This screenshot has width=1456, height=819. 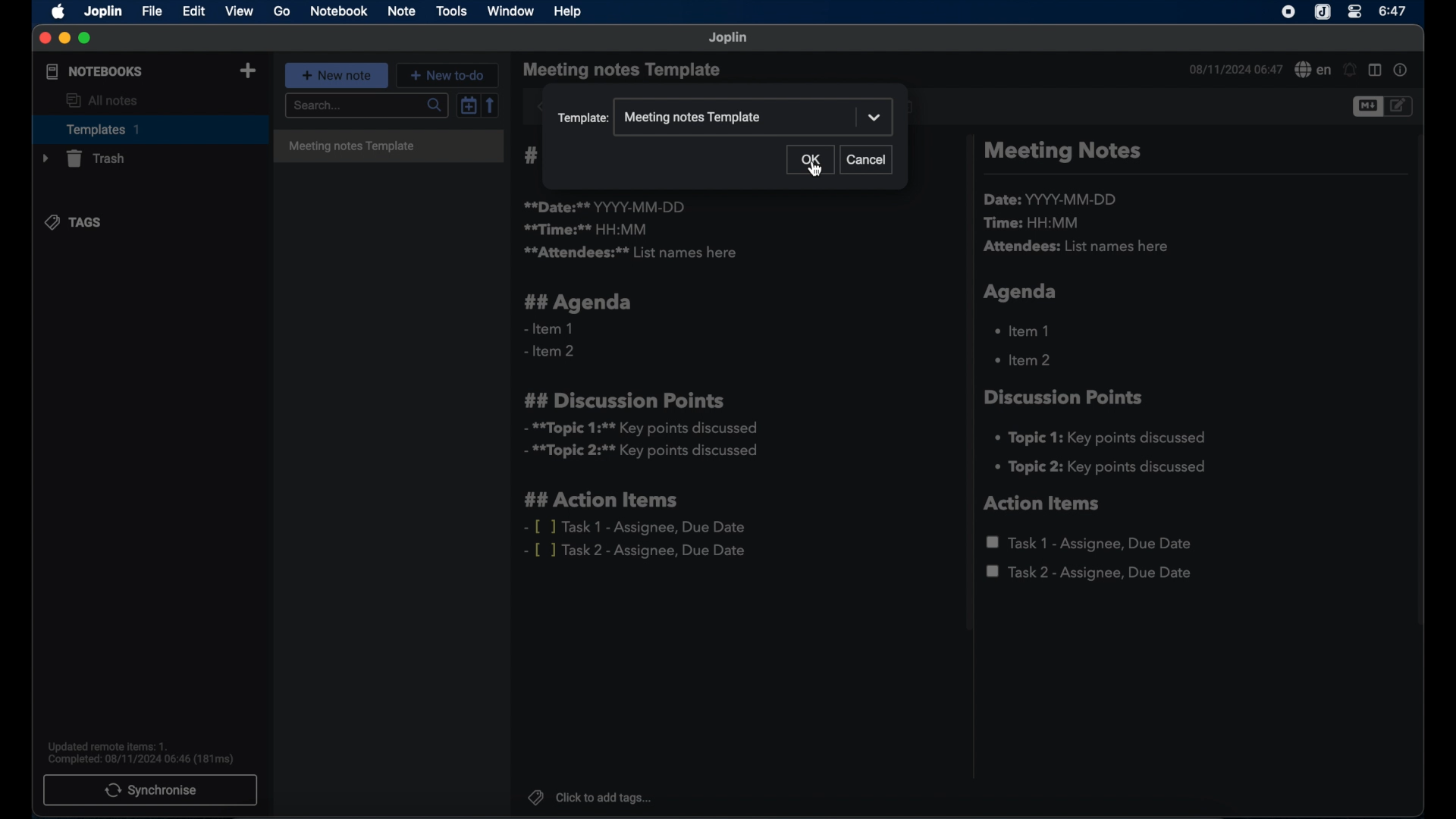 What do you see at coordinates (401, 11) in the screenshot?
I see `note` at bounding box center [401, 11].